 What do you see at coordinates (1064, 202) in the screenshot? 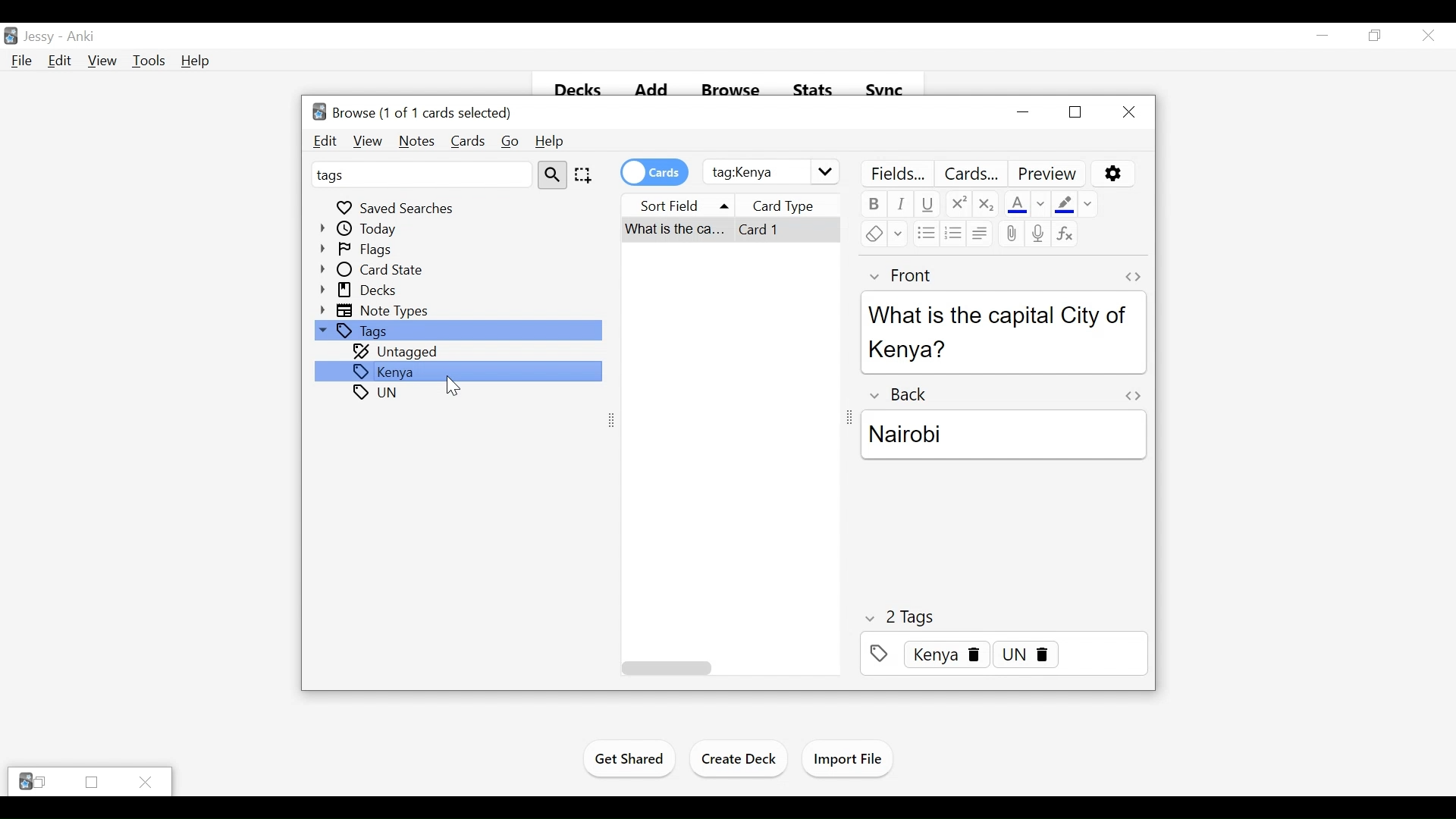
I see `Text Higlight Color` at bounding box center [1064, 202].